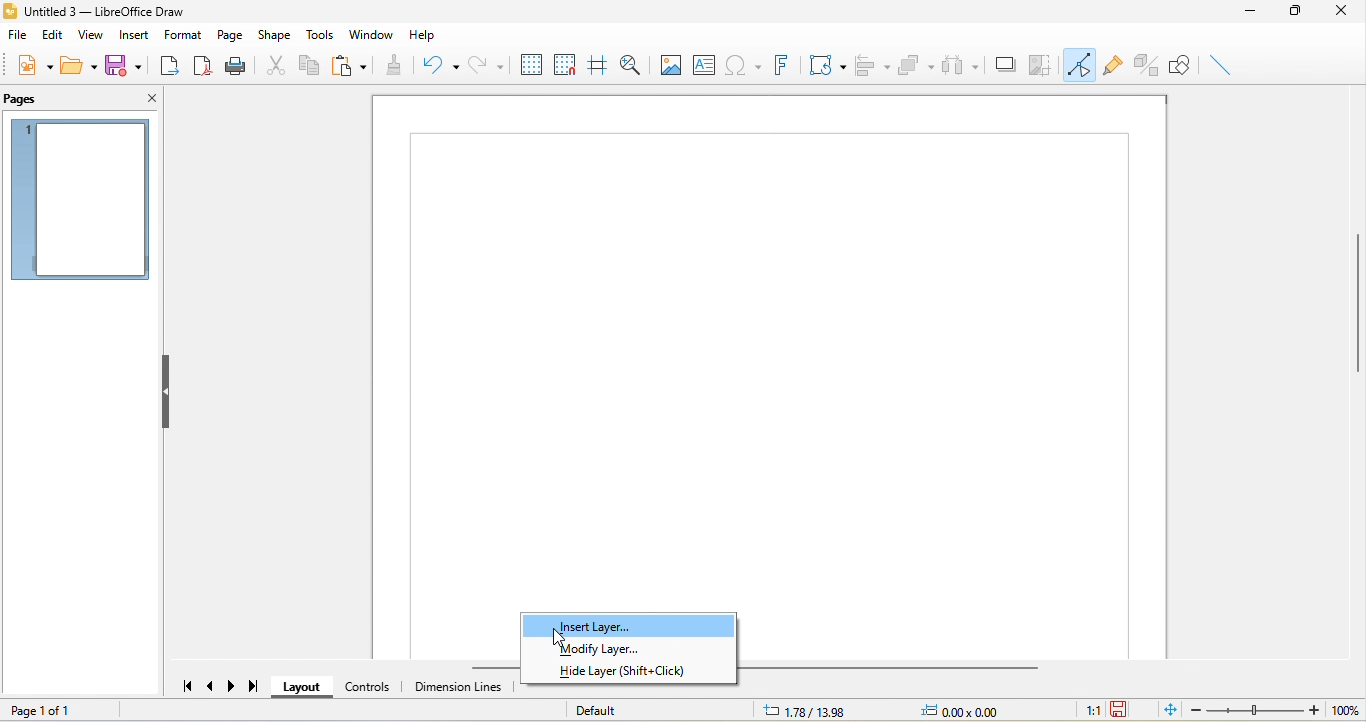 The height and width of the screenshot is (722, 1366). What do you see at coordinates (89, 35) in the screenshot?
I see `view` at bounding box center [89, 35].